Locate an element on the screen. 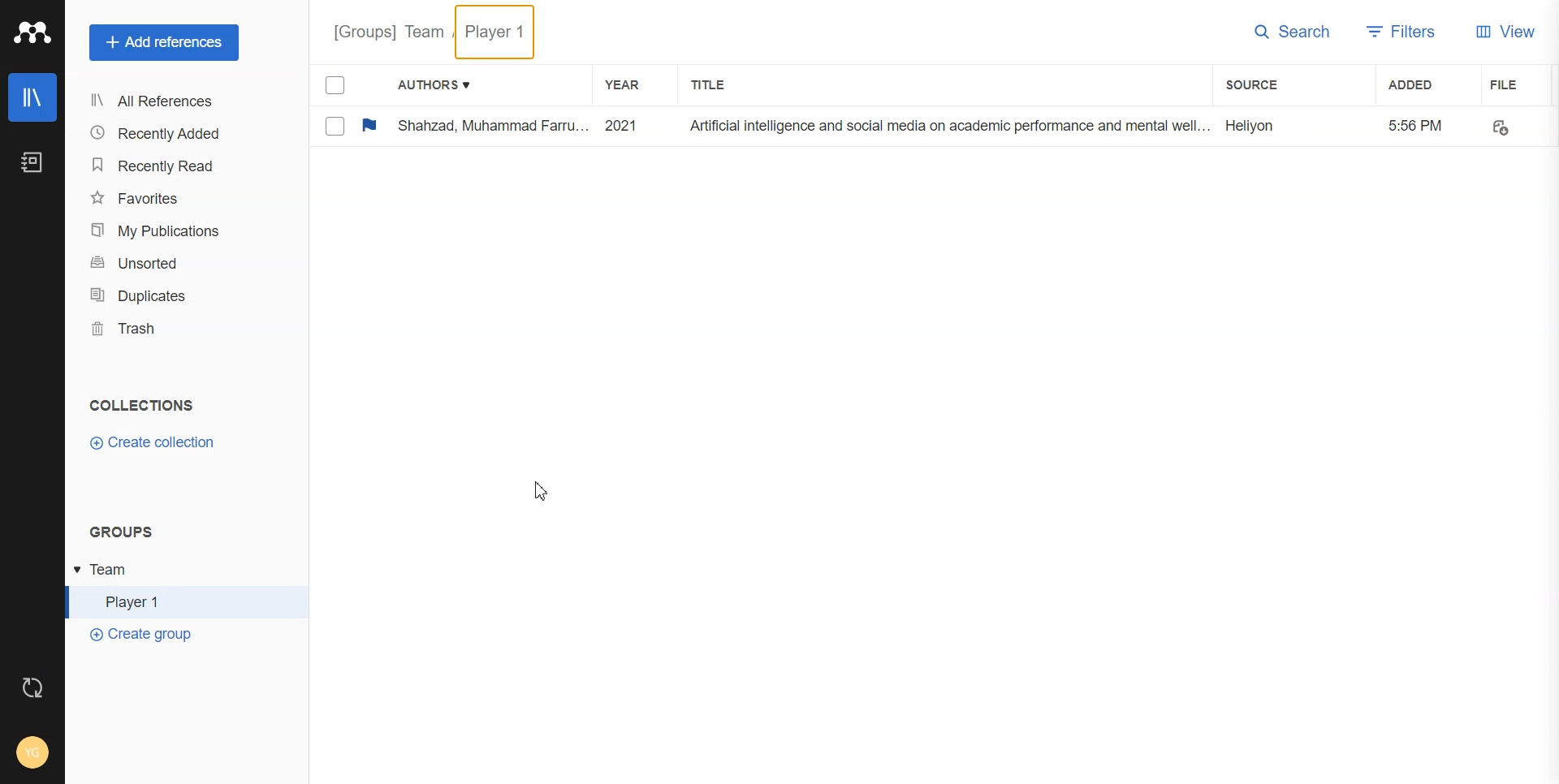 The width and height of the screenshot is (1559, 784). View  is located at coordinates (1505, 32).